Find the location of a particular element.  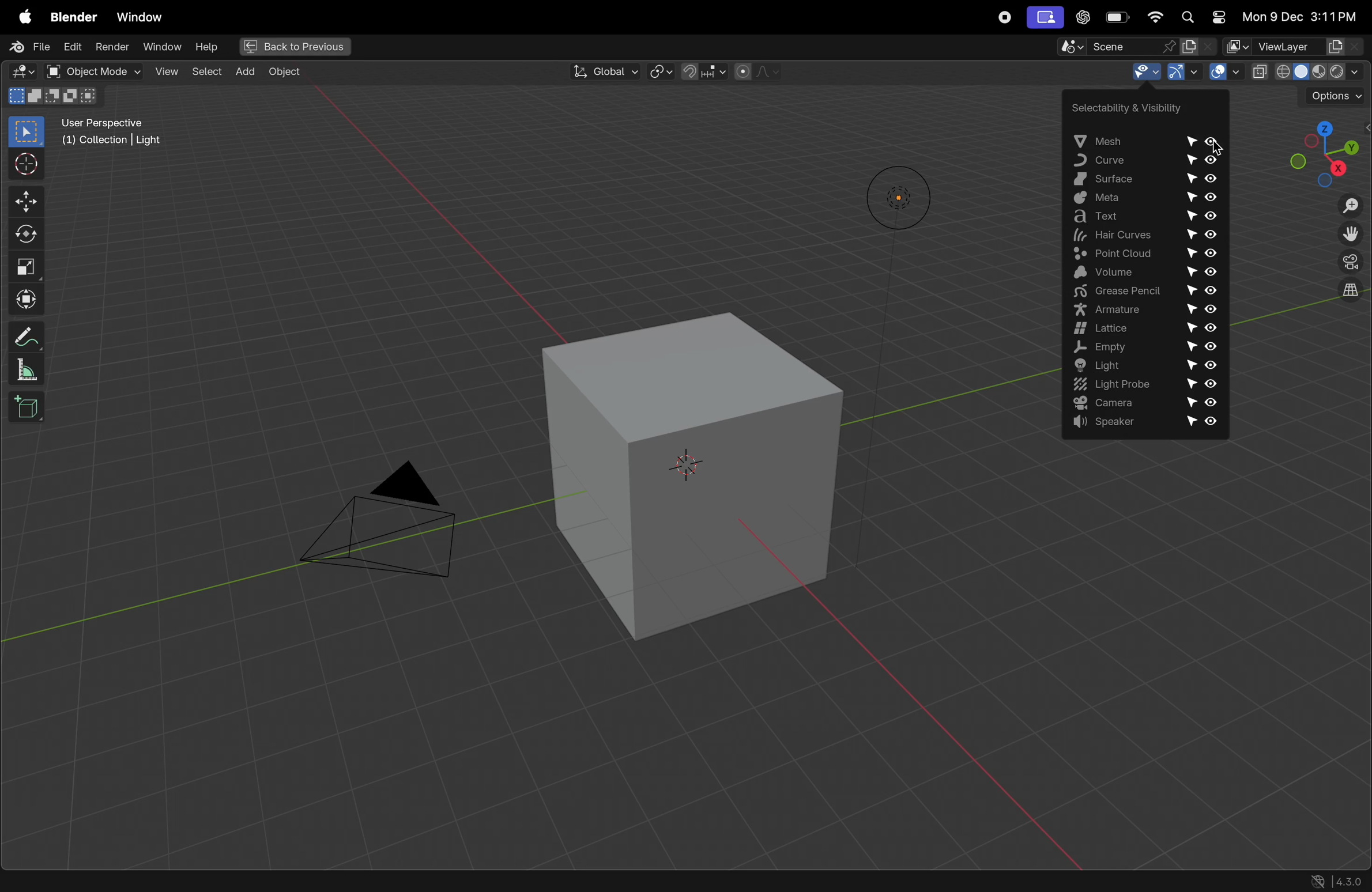

camera perspective is located at coordinates (1349, 263).